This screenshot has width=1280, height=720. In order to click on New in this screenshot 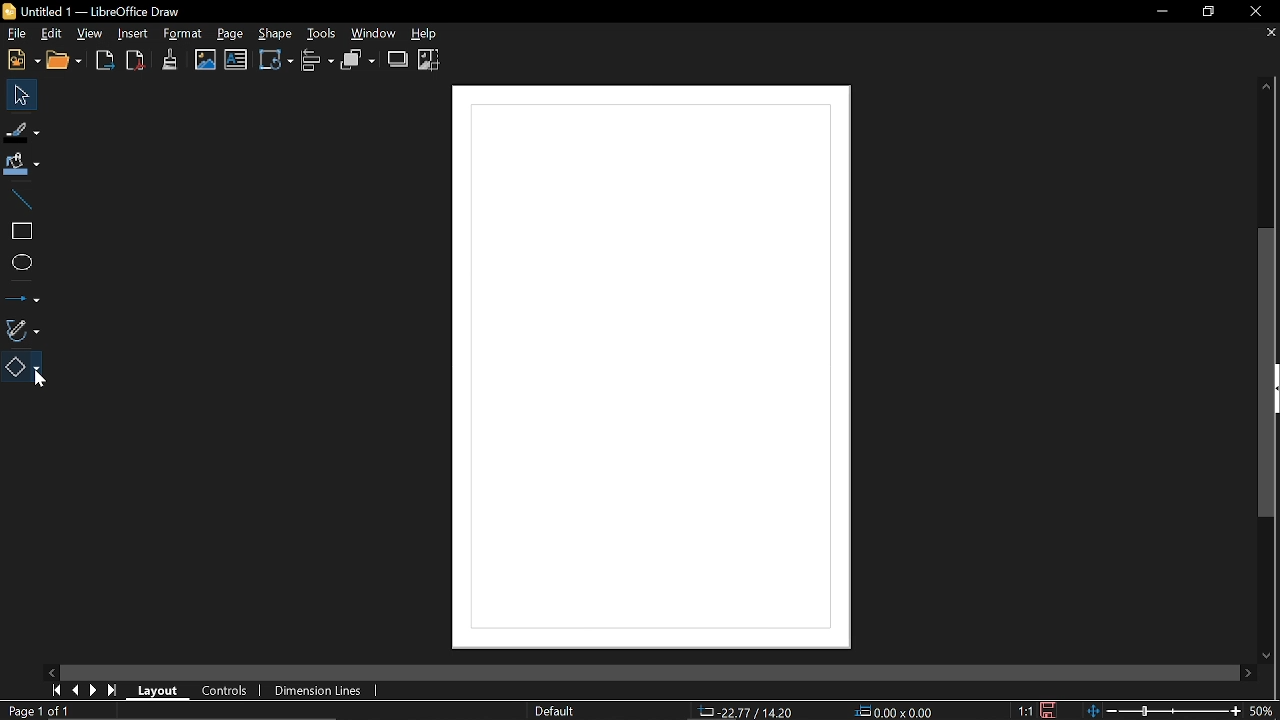, I will do `click(21, 61)`.